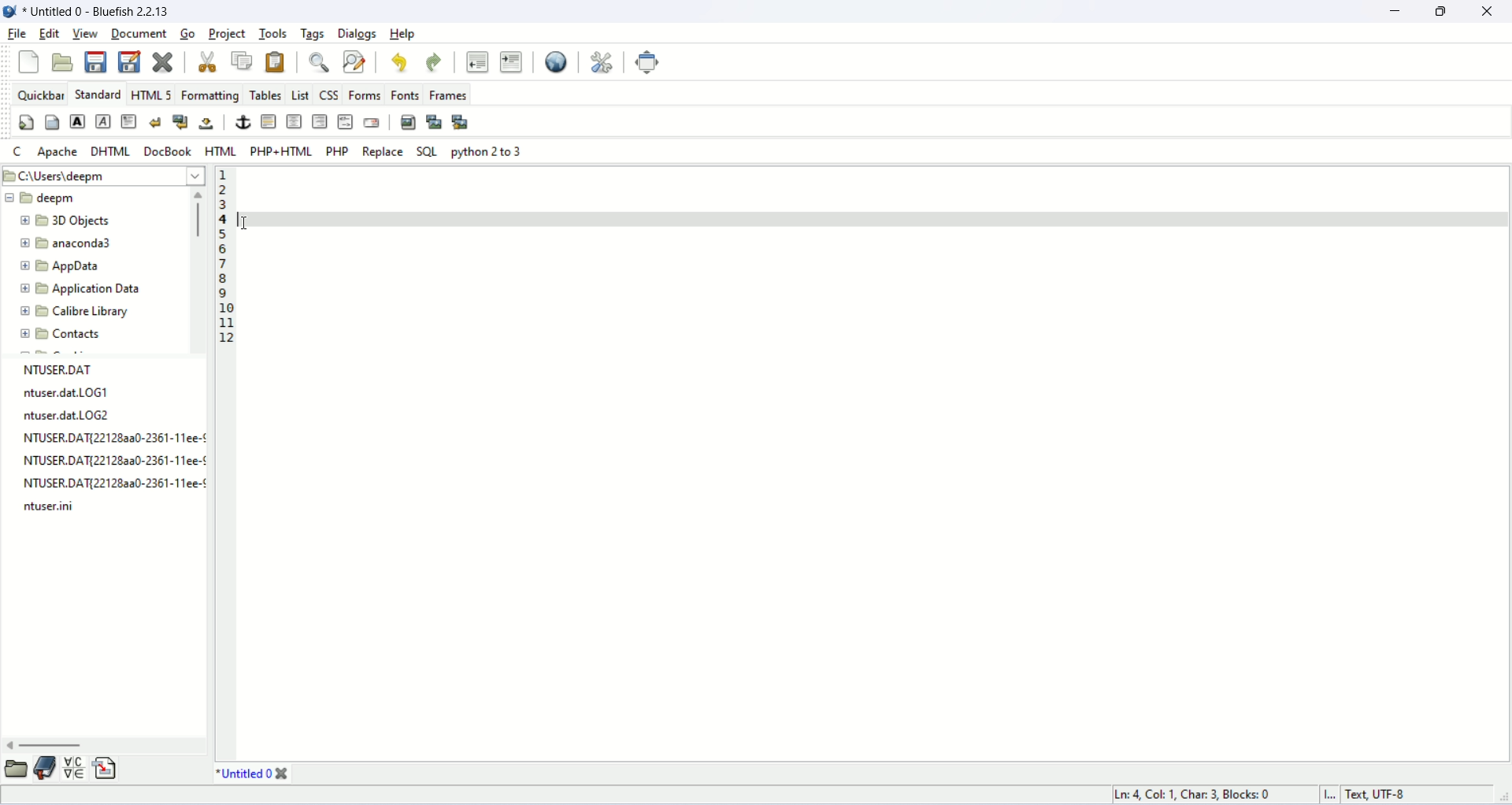 This screenshot has height=805, width=1512. Describe the element at coordinates (103, 121) in the screenshot. I see `imphasis` at that location.